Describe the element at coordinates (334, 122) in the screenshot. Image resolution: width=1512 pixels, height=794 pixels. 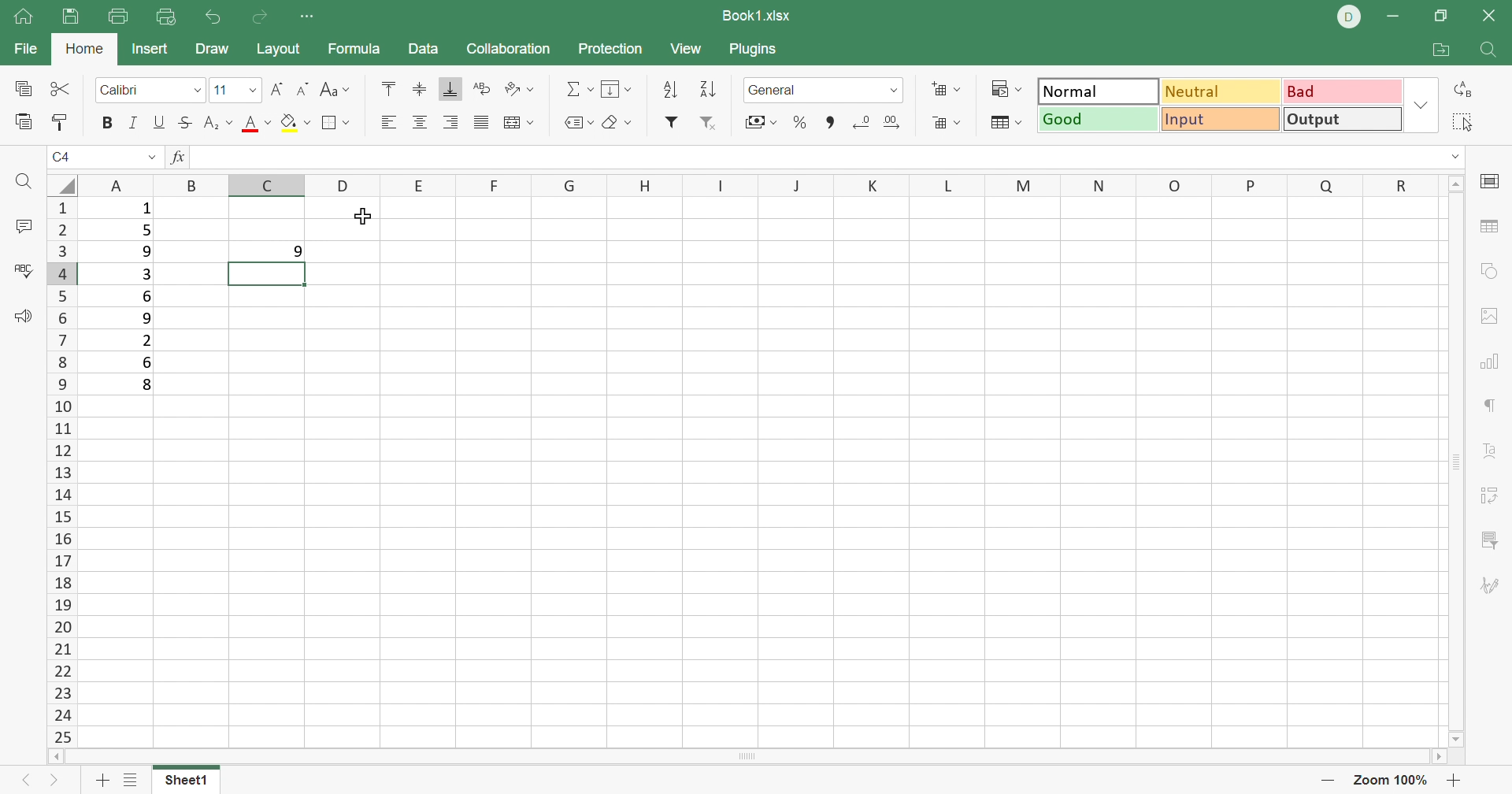
I see `Borders` at that location.